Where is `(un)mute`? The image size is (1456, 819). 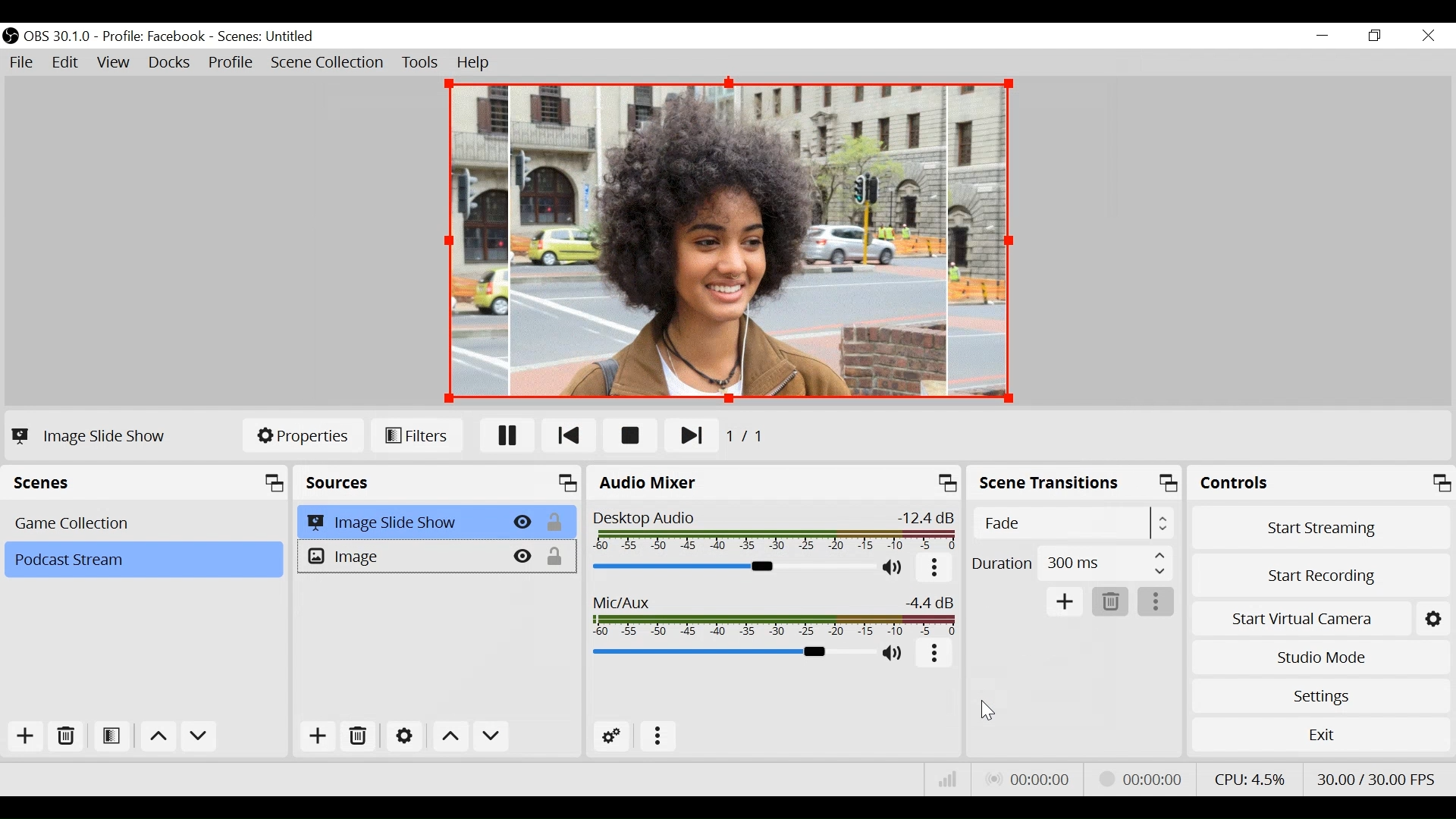
(un)mute is located at coordinates (895, 654).